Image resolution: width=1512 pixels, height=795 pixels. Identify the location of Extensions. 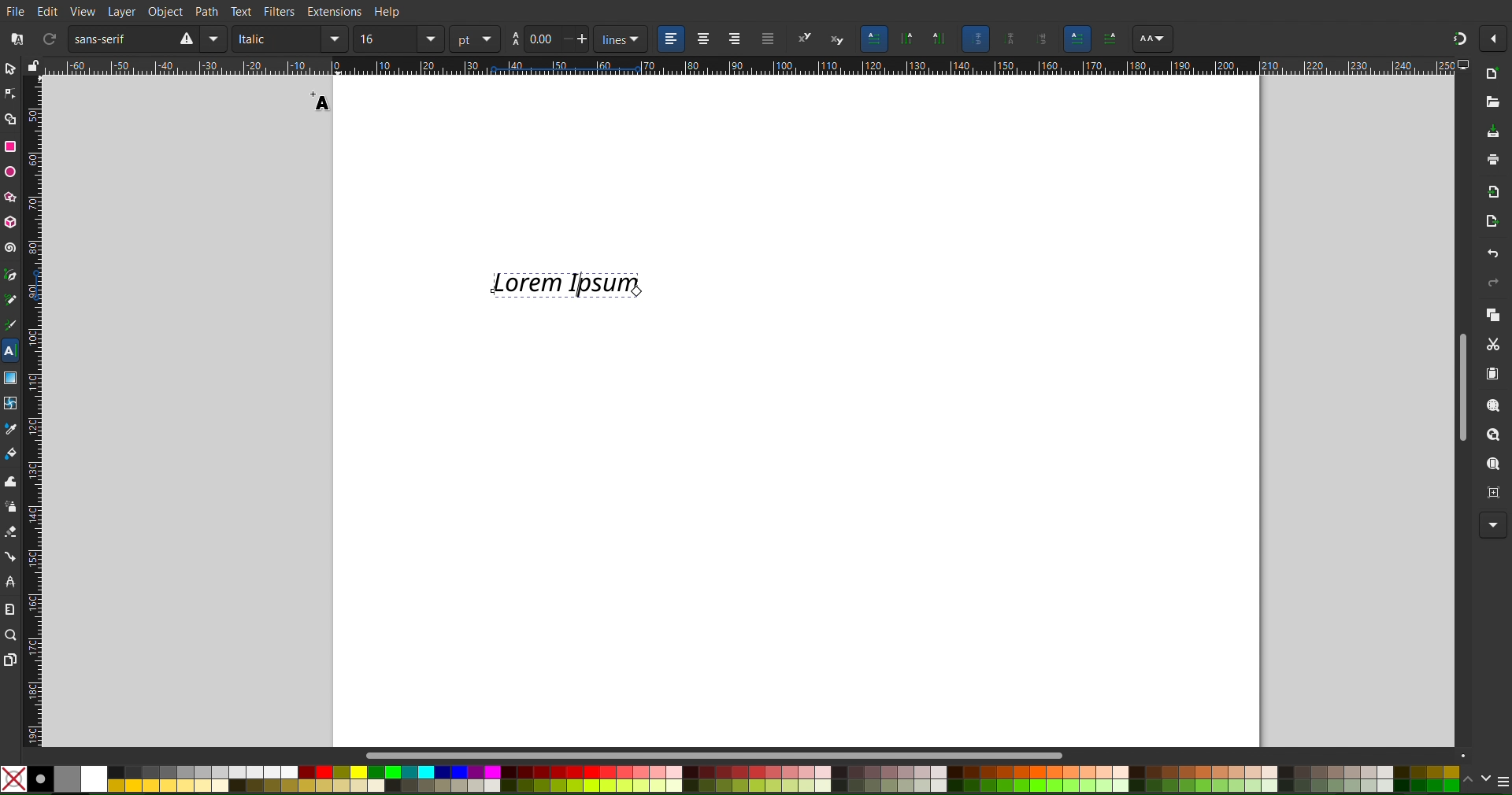
(333, 11).